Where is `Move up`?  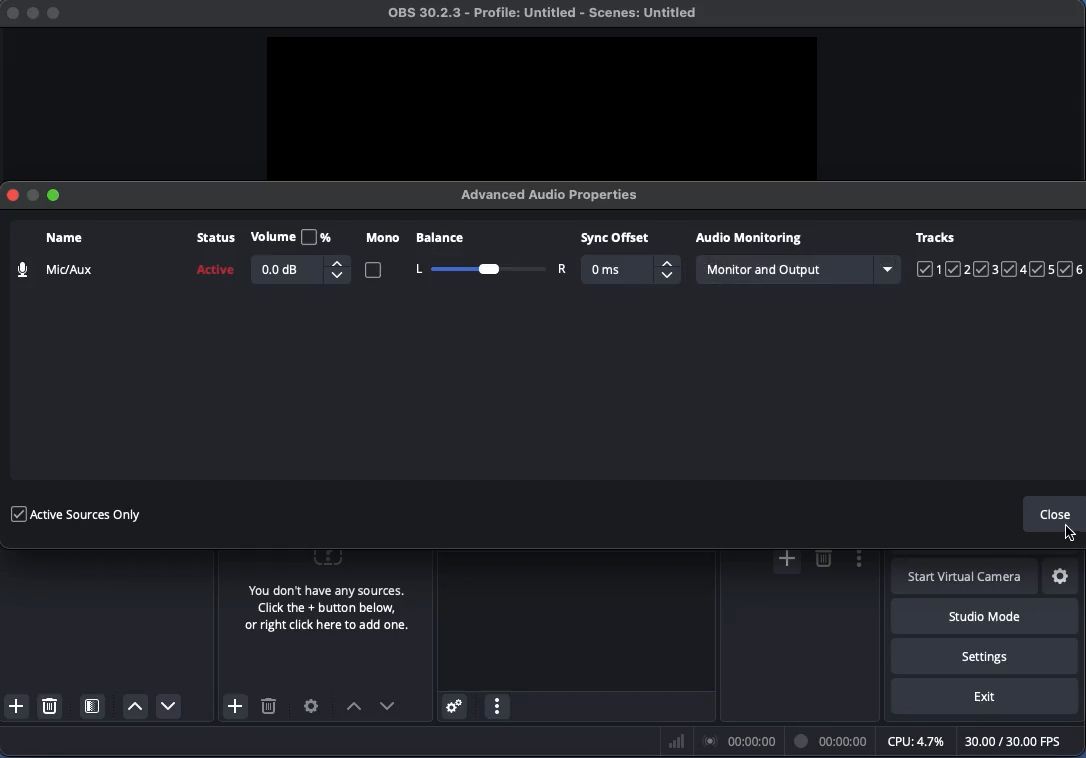
Move up is located at coordinates (353, 708).